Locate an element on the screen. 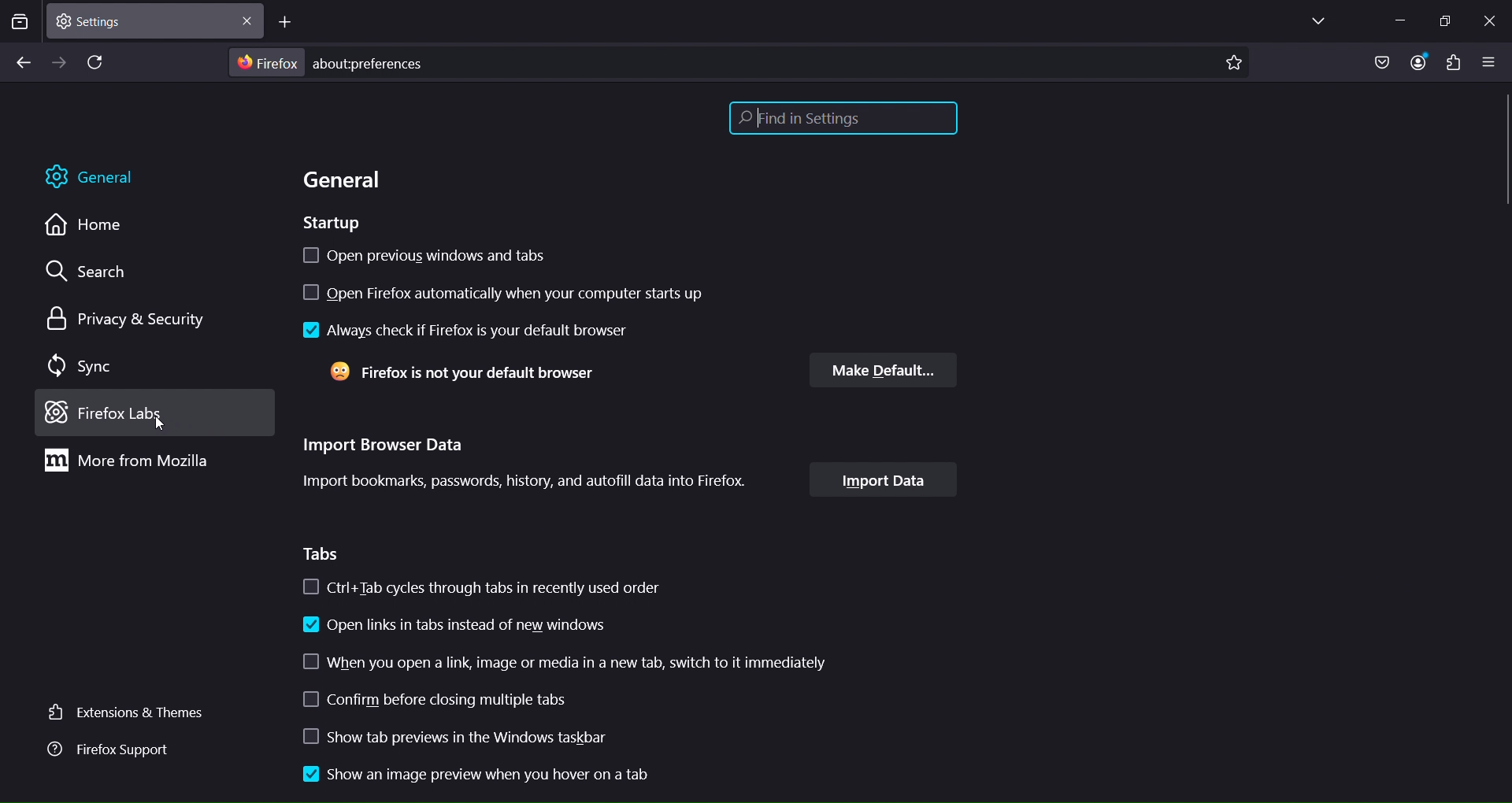 Image resolution: width=1512 pixels, height=803 pixels. privacy and security is located at coordinates (120, 318).